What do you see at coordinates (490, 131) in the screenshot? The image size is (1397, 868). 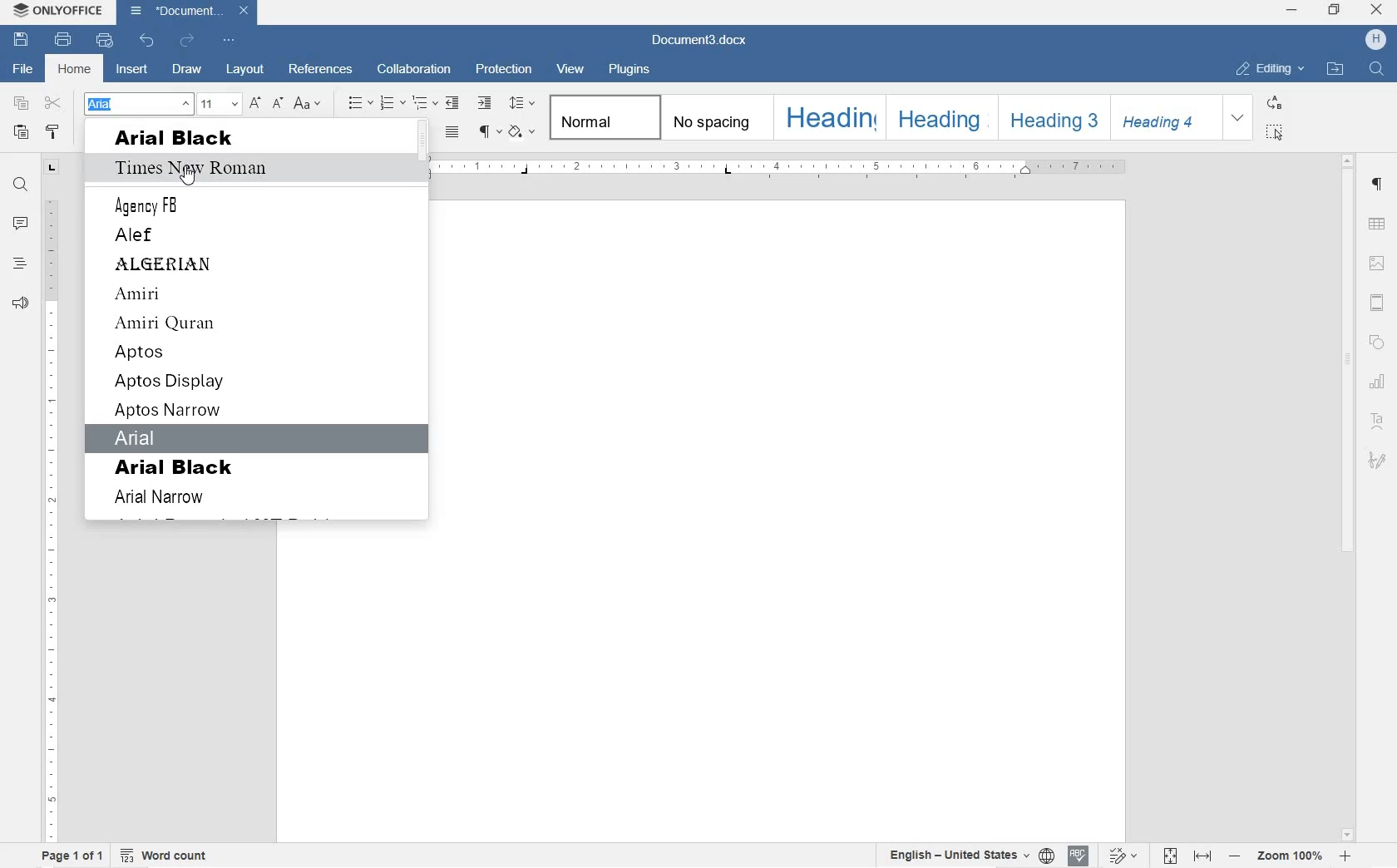 I see `NONPRINTING CHARACTERS` at bounding box center [490, 131].